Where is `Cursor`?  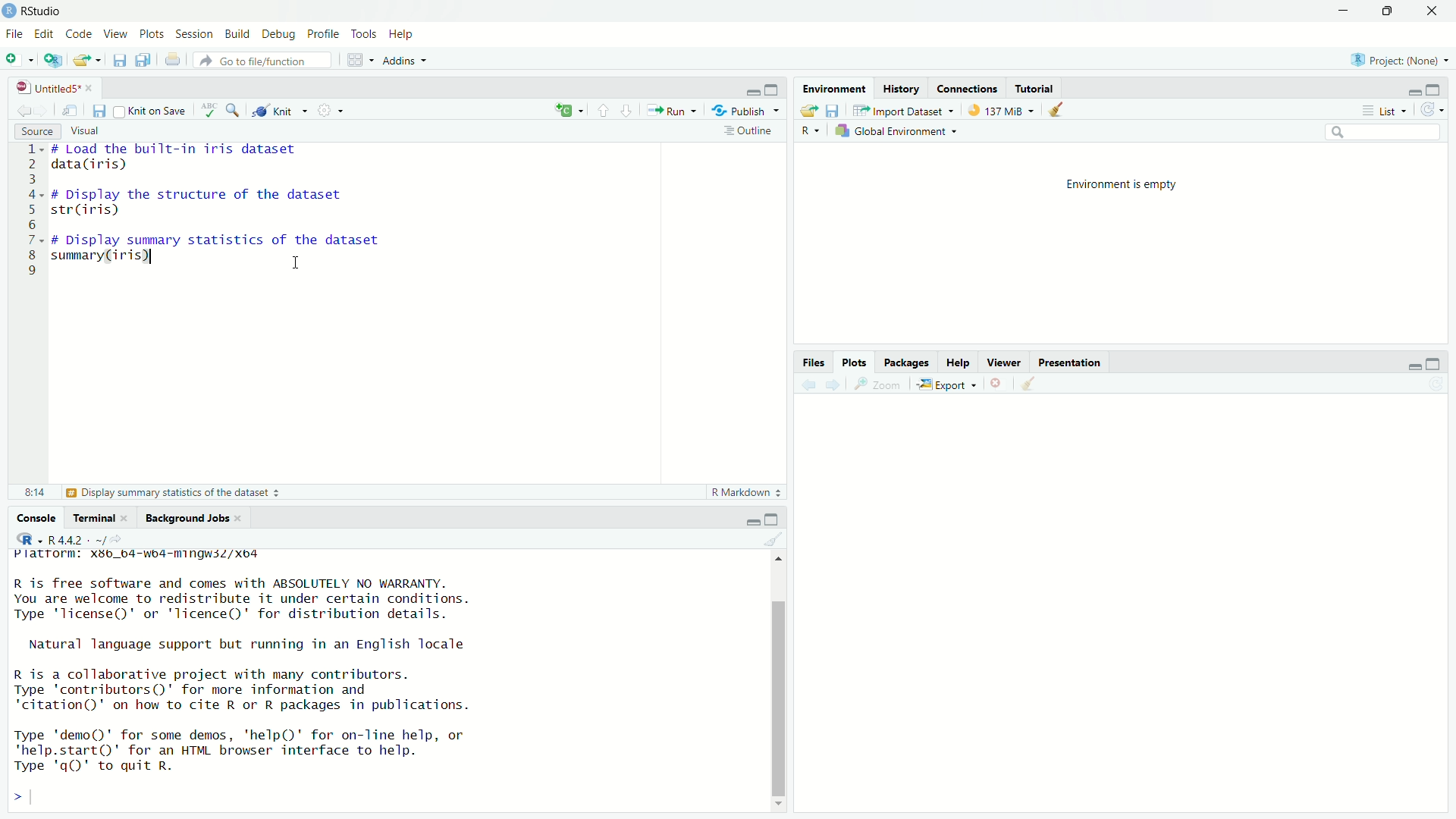 Cursor is located at coordinates (294, 258).